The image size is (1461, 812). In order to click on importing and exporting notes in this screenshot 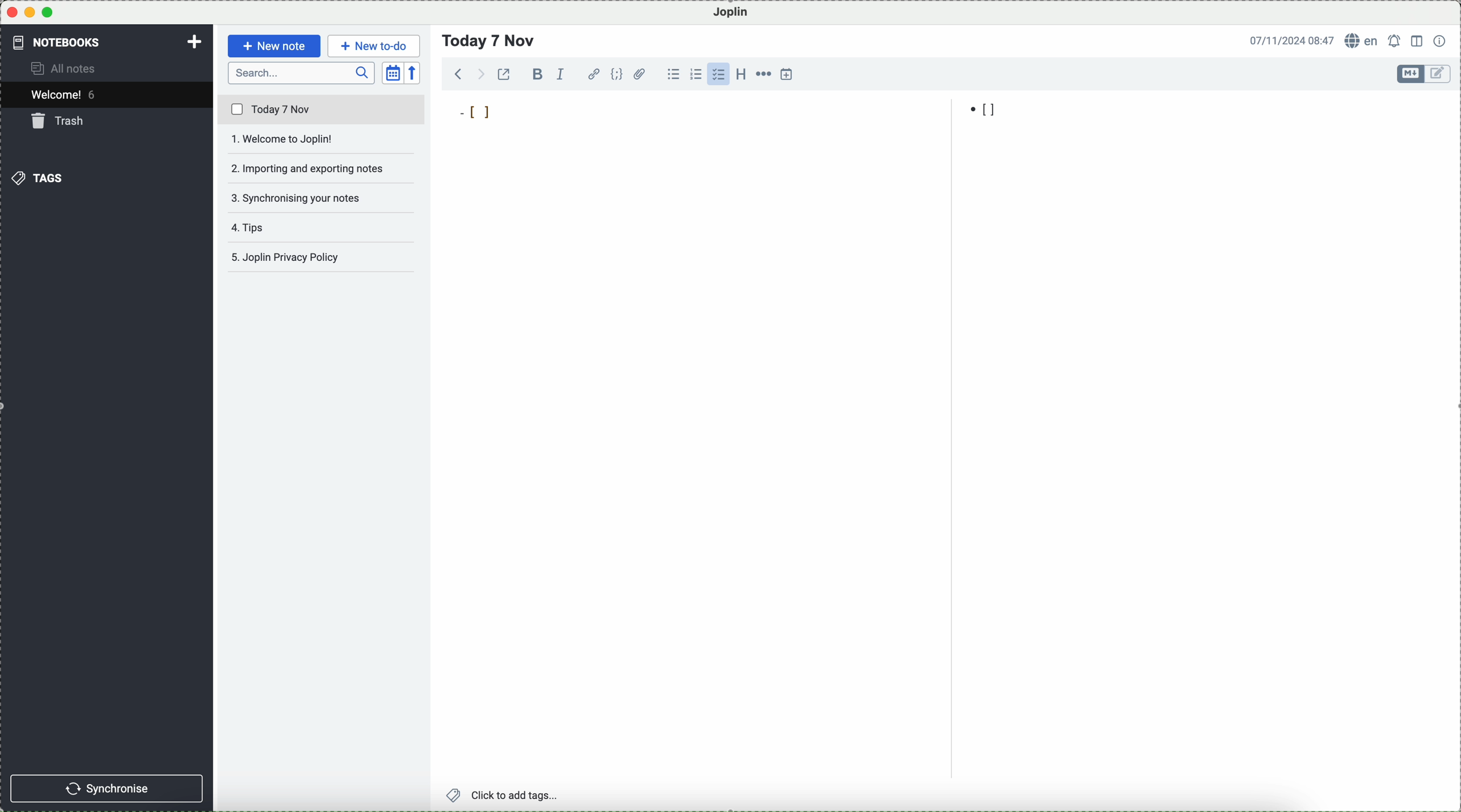, I will do `click(323, 168)`.